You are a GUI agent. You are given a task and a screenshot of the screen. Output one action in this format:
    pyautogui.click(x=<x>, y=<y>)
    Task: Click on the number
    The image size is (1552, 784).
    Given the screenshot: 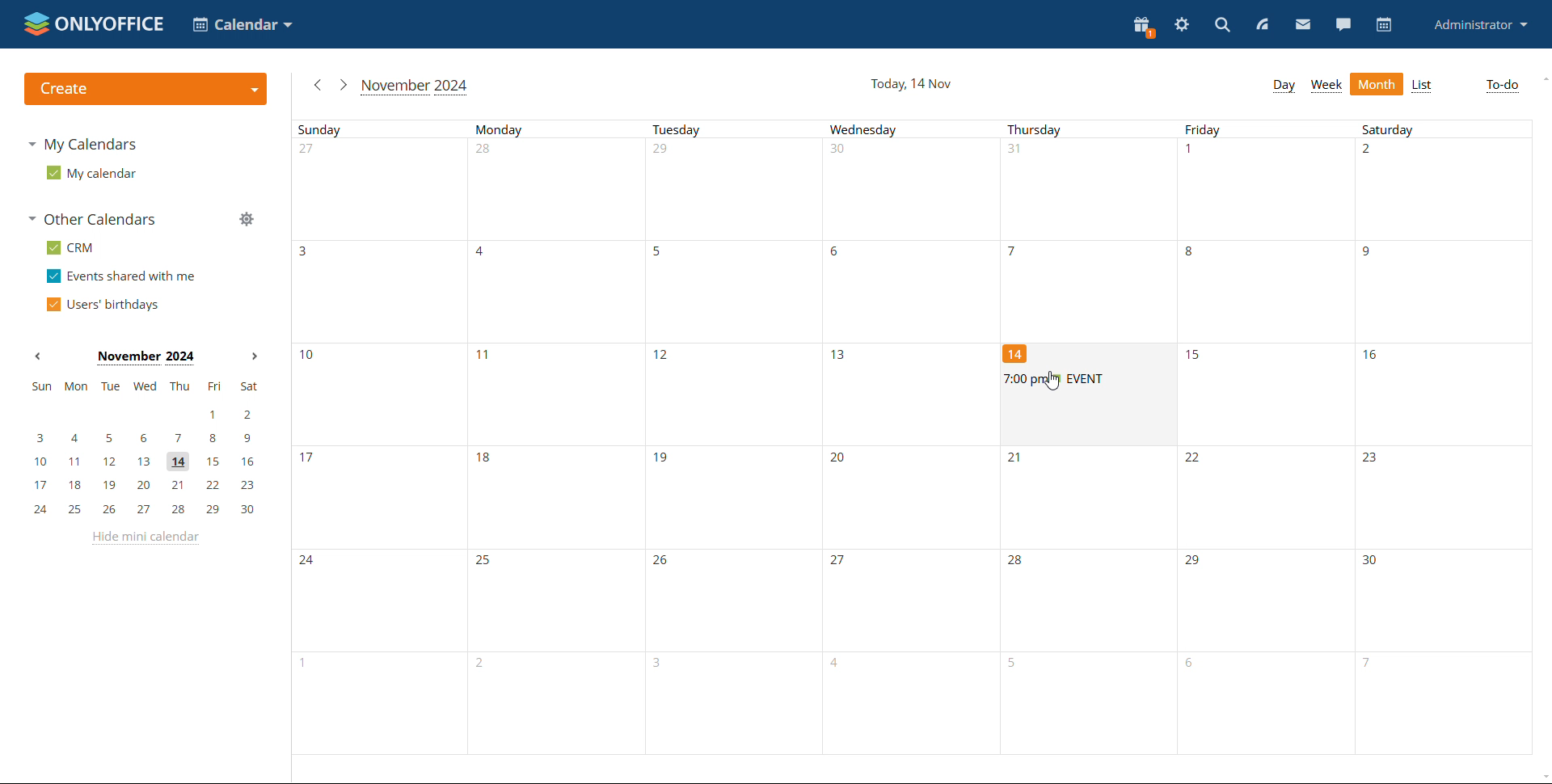 What is the action you would take?
    pyautogui.click(x=311, y=563)
    